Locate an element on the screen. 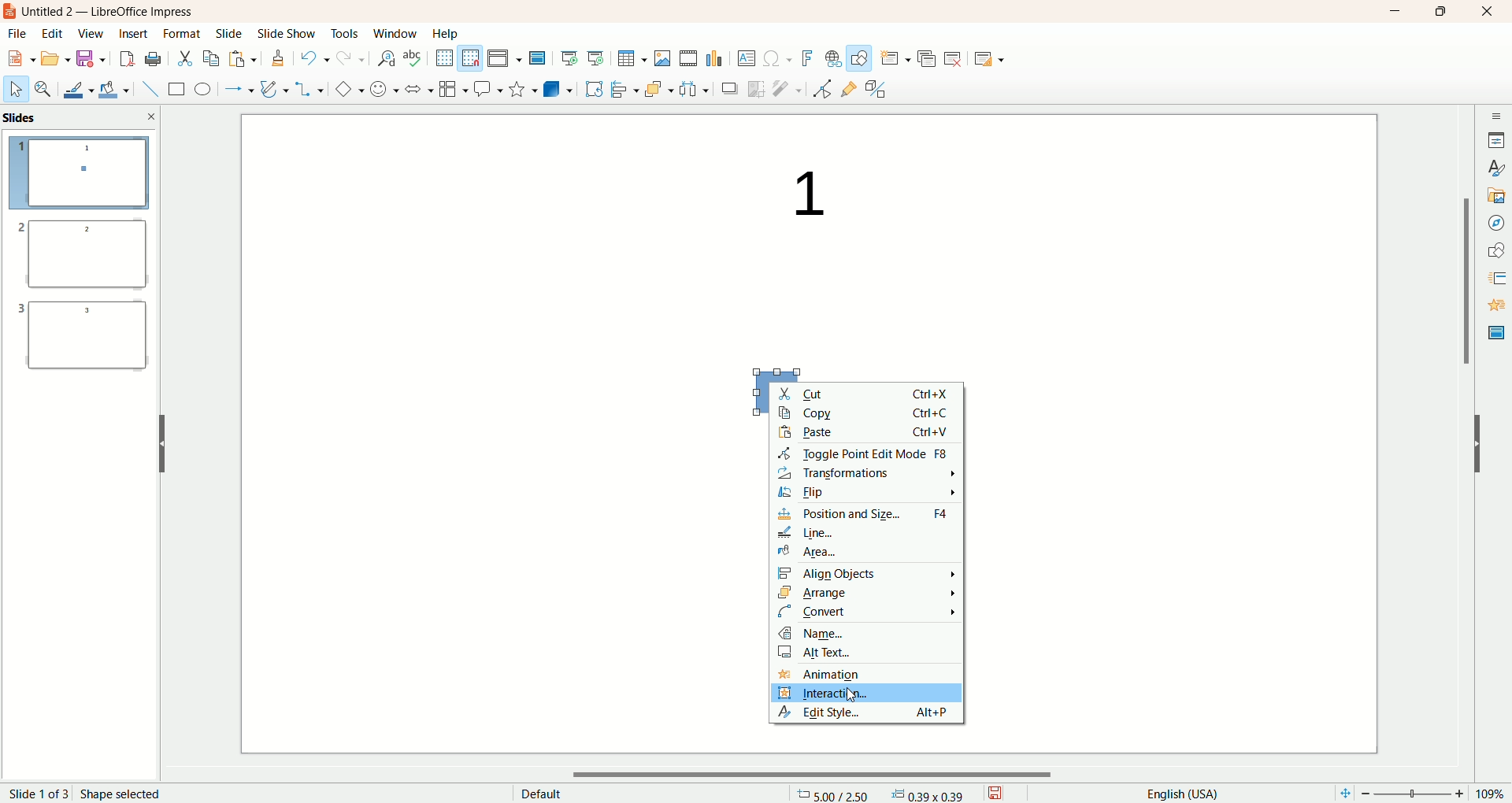 The width and height of the screenshot is (1512, 803). navigator is located at coordinates (1495, 223).